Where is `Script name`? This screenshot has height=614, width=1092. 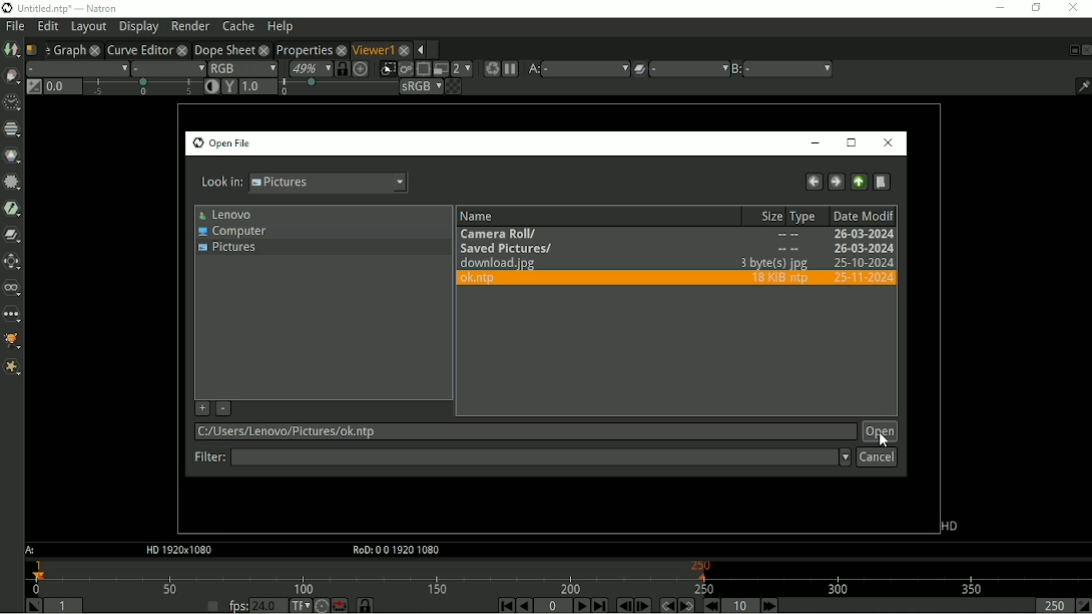
Script name is located at coordinates (34, 49).